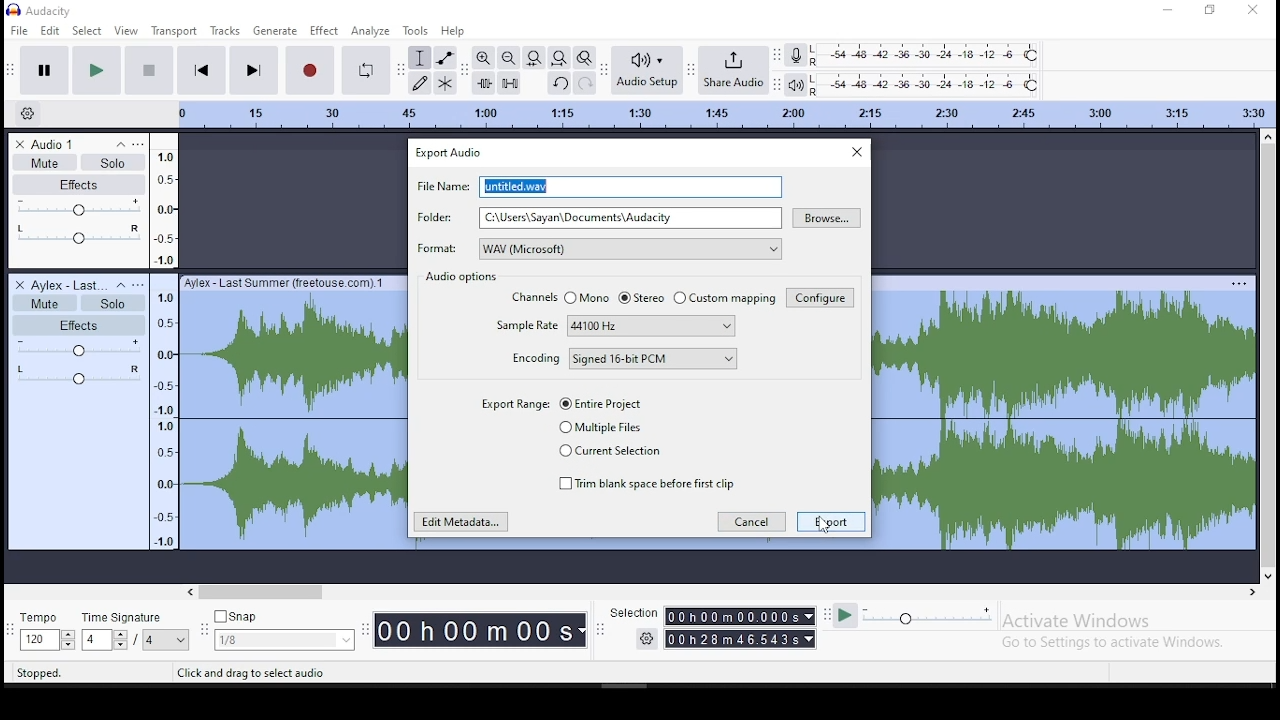  I want to click on scroll bar, so click(1267, 355).